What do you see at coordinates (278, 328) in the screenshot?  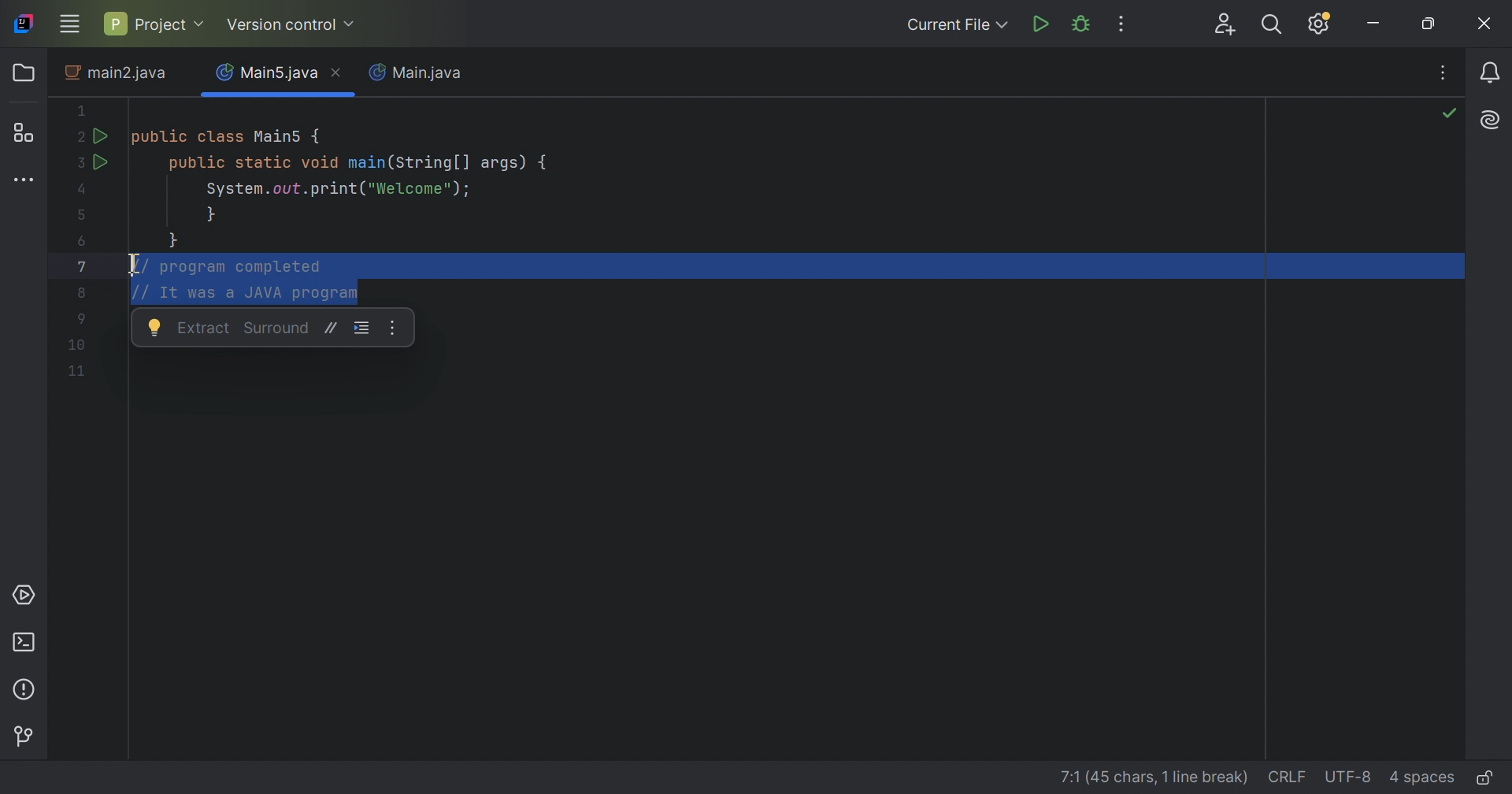 I see `Surround` at bounding box center [278, 328].